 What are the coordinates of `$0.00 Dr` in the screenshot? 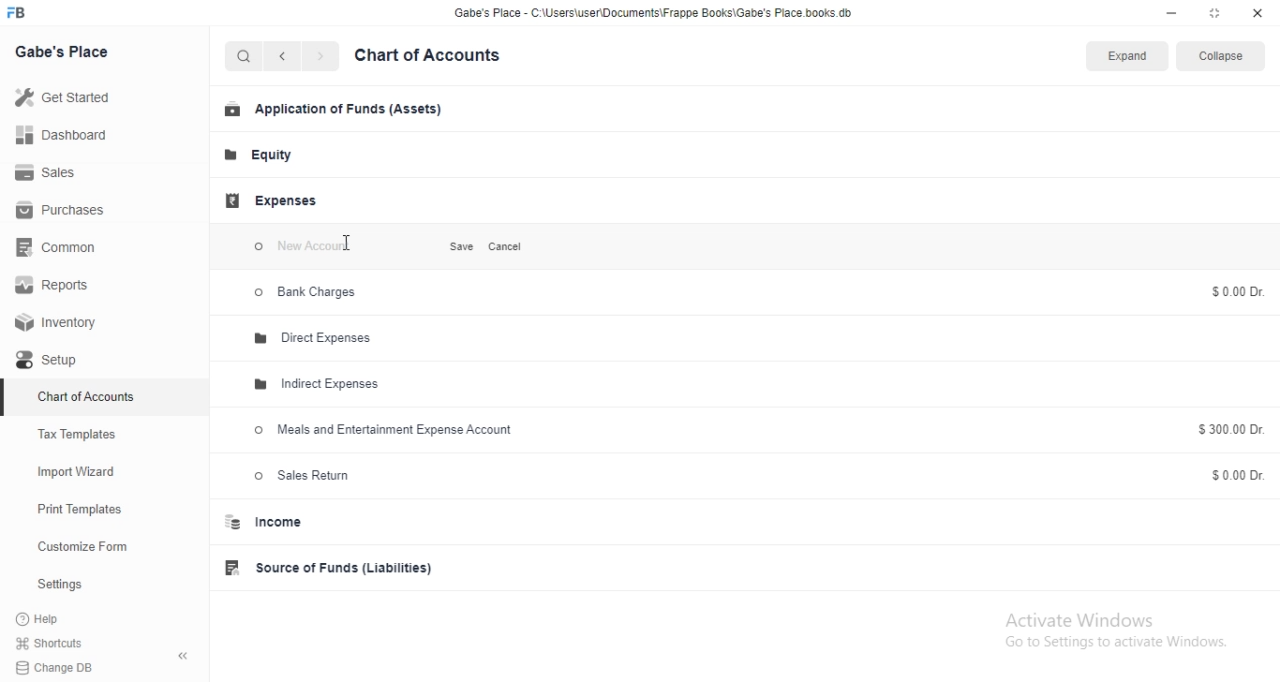 It's located at (1233, 291).